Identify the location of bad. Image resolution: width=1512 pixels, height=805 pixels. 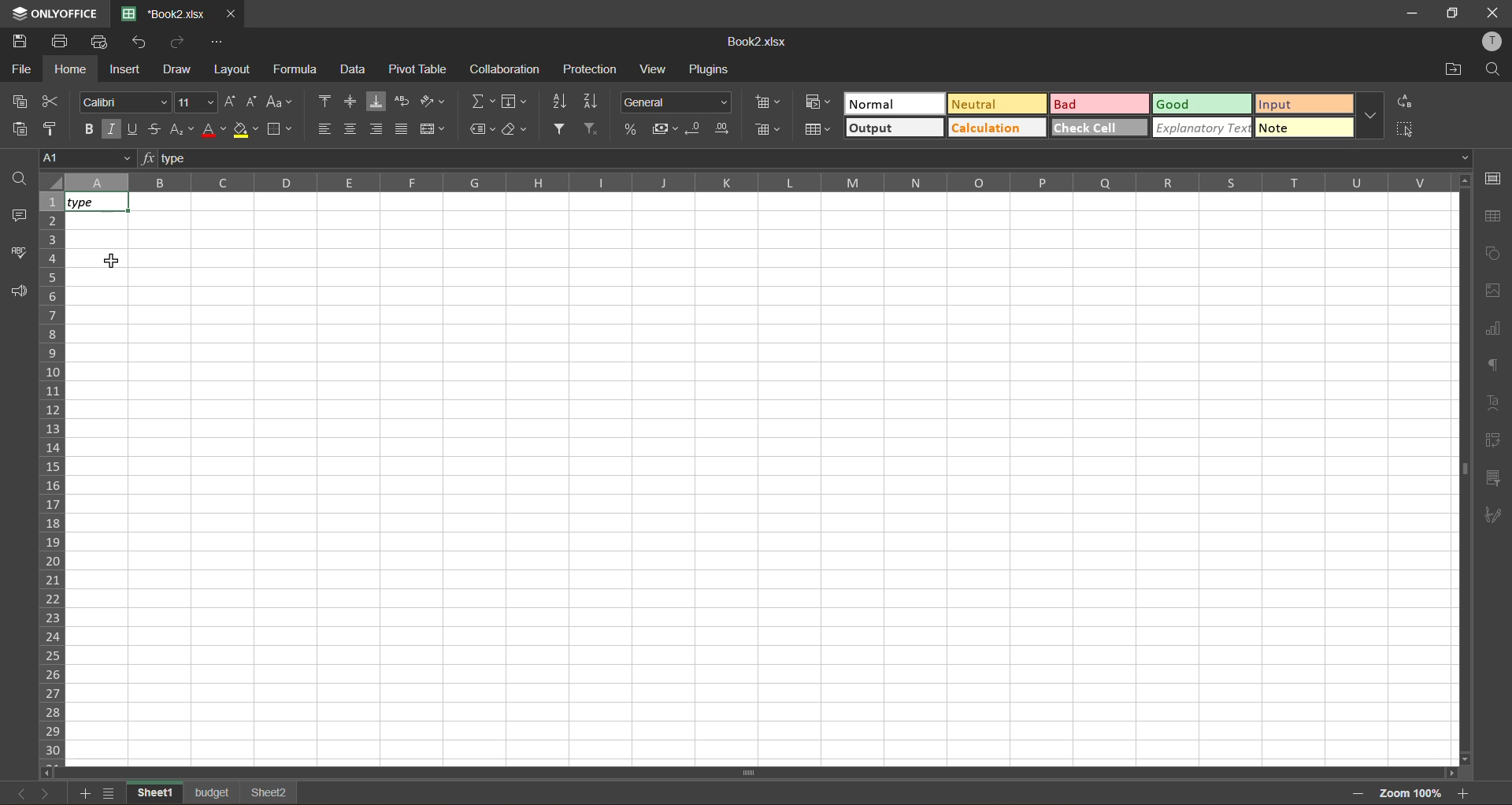
(1100, 104).